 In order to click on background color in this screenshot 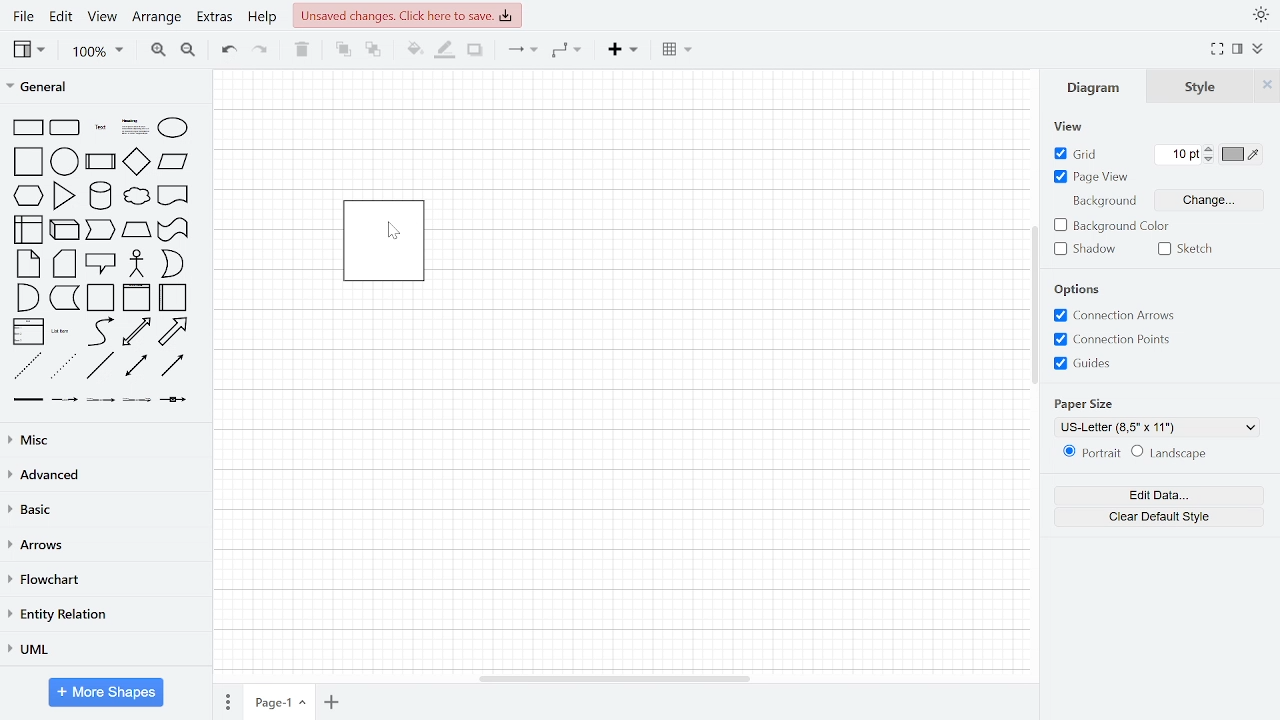, I will do `click(1114, 226)`.